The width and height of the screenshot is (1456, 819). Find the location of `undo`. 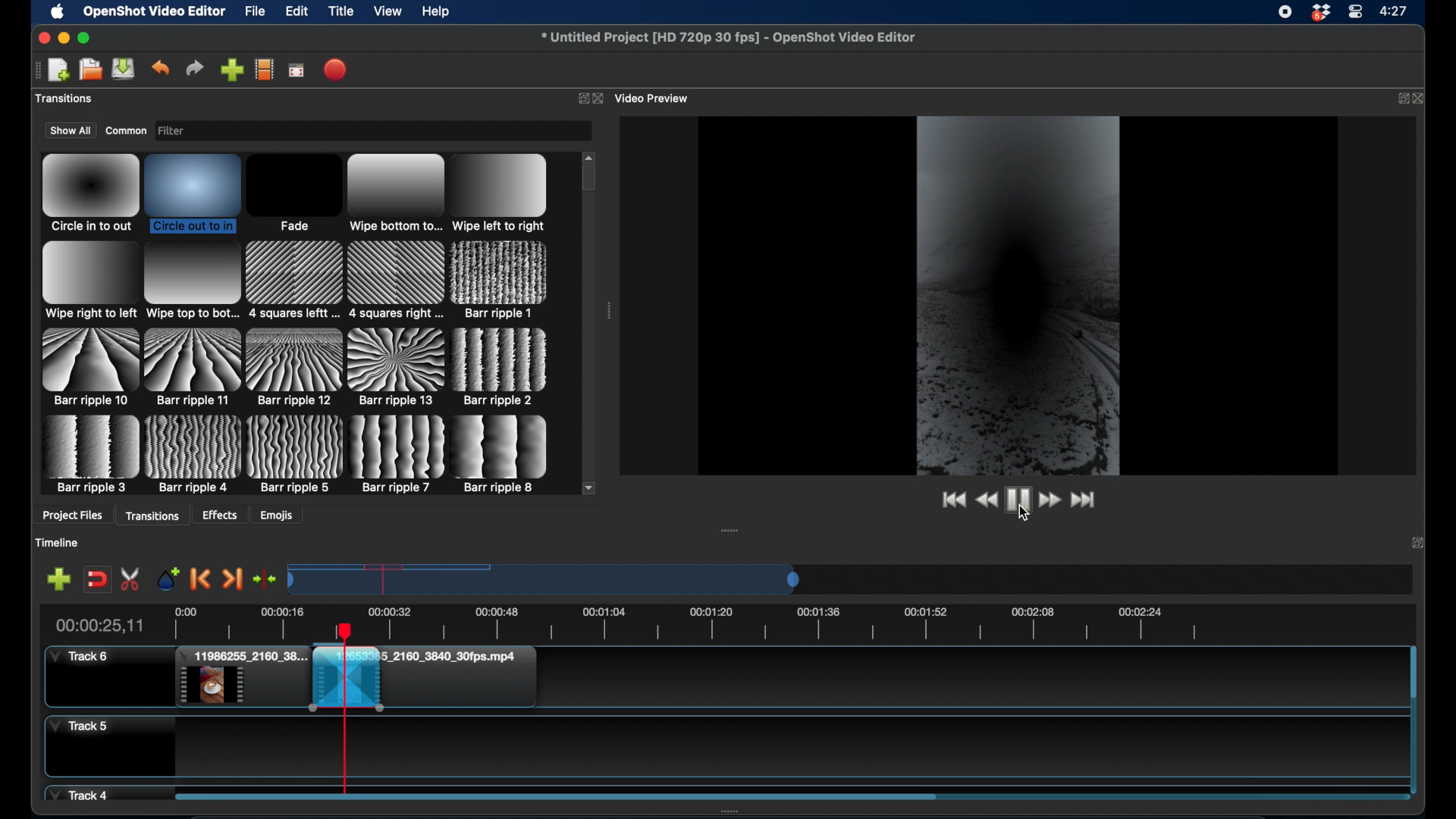

undo is located at coordinates (162, 67).